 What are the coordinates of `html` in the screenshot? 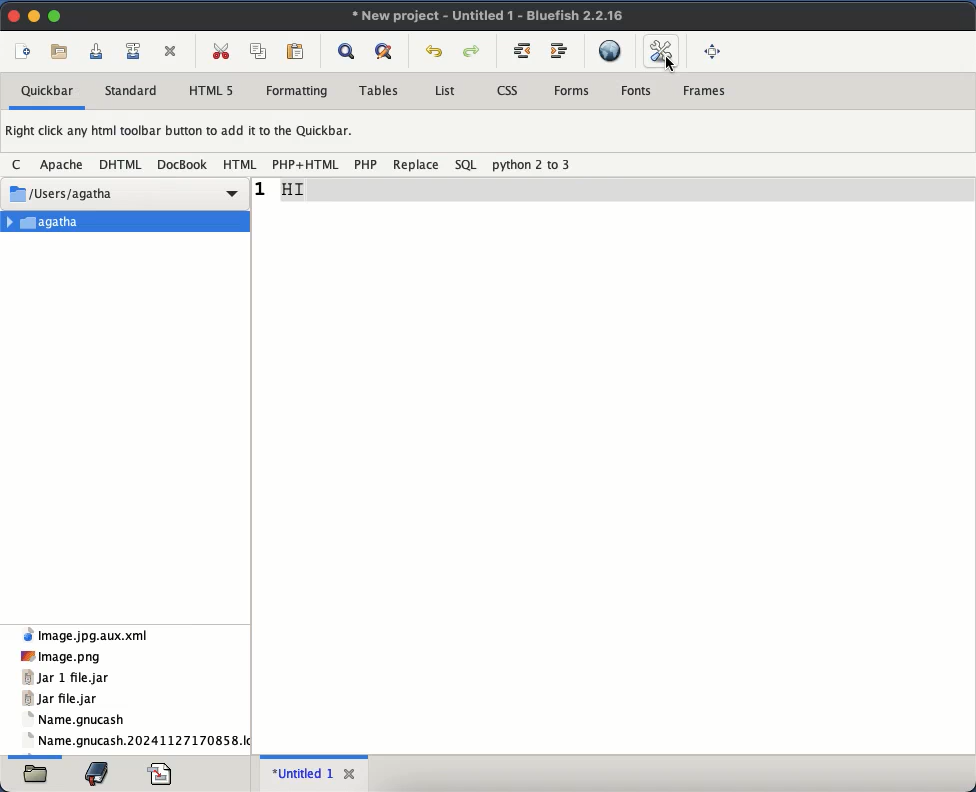 It's located at (240, 165).